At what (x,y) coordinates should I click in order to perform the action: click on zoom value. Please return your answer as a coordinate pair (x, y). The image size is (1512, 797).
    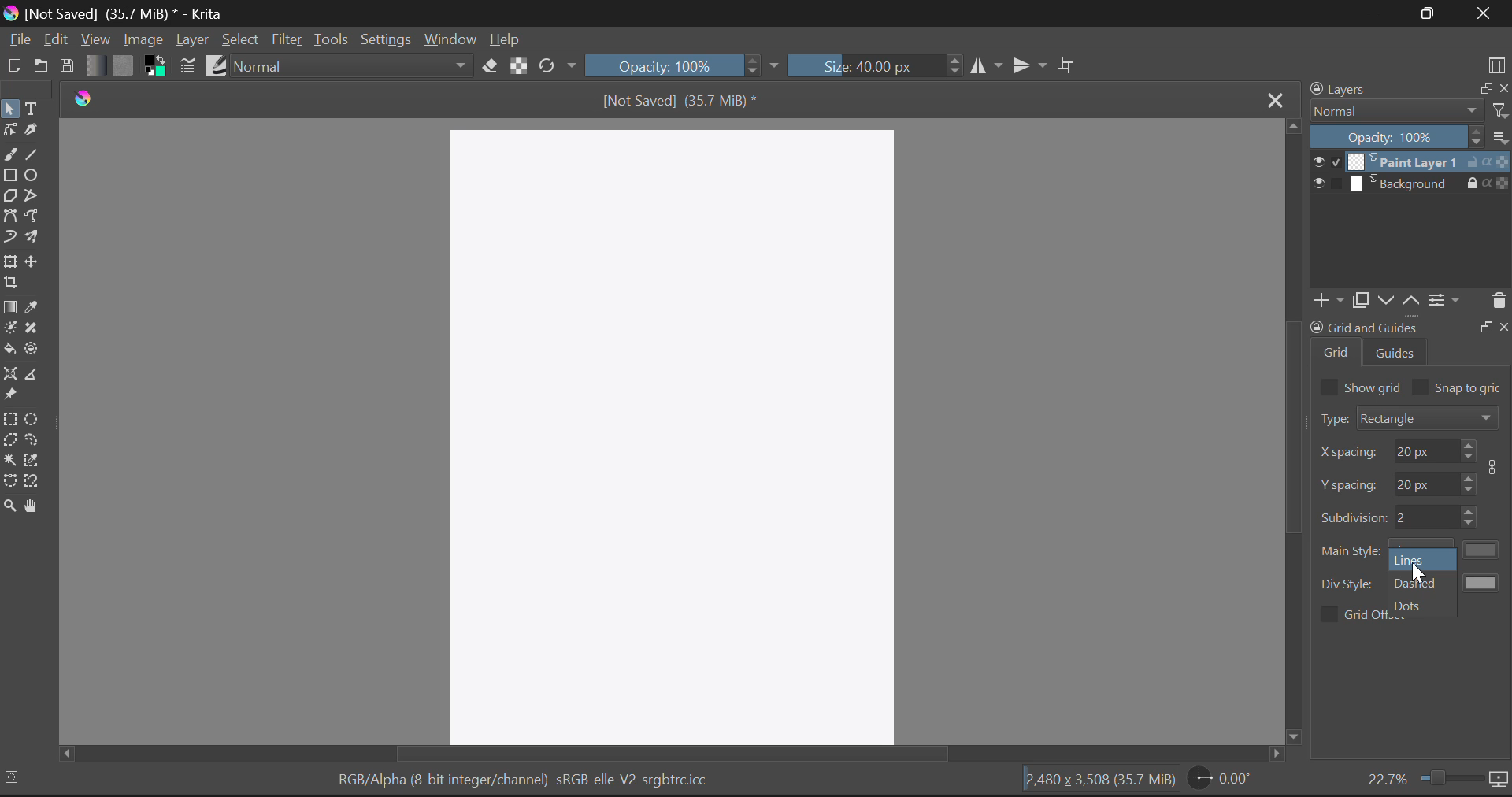
    Looking at the image, I should click on (1387, 777).